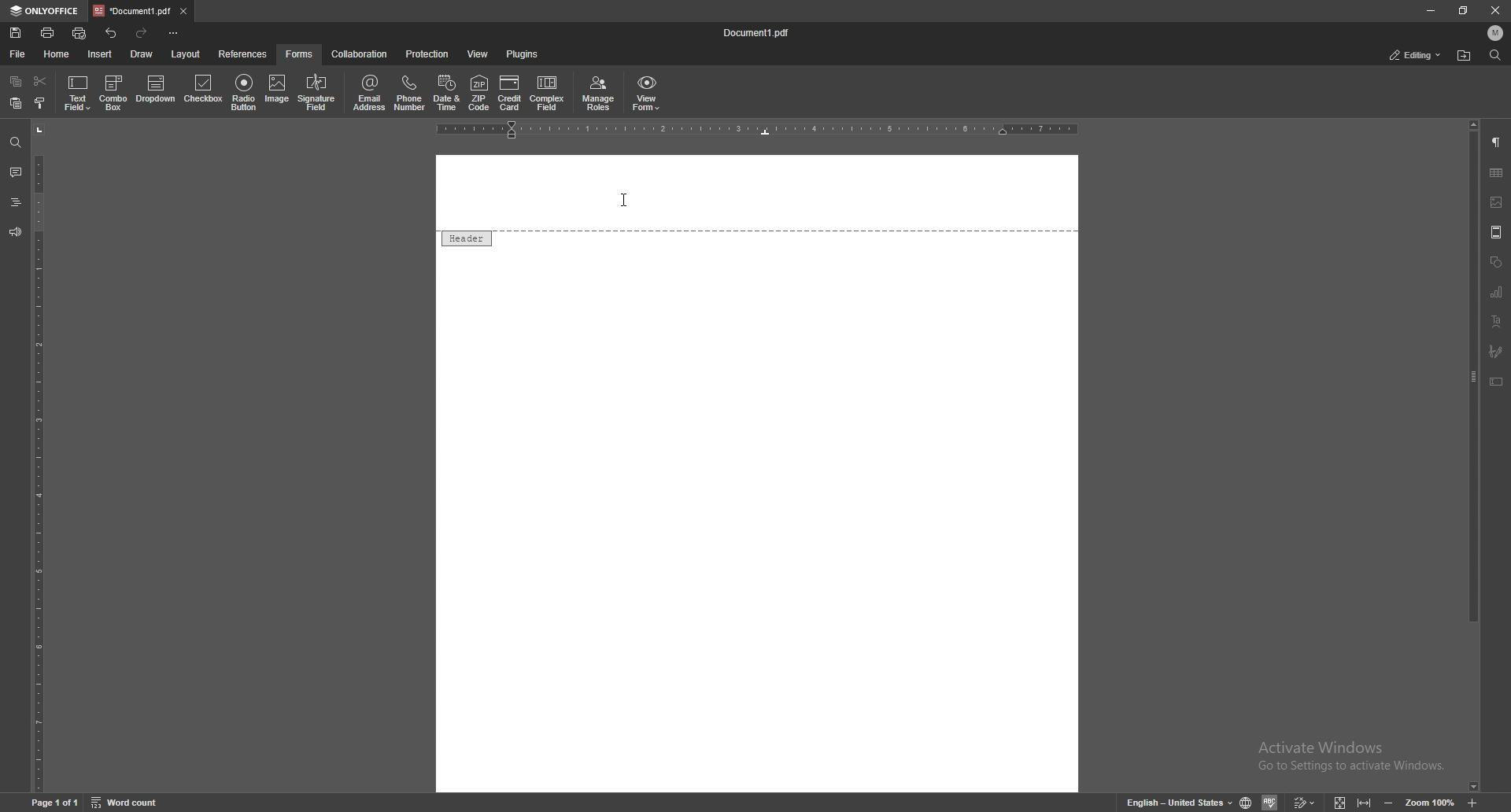 The height and width of the screenshot is (812, 1511). I want to click on file, so click(19, 53).